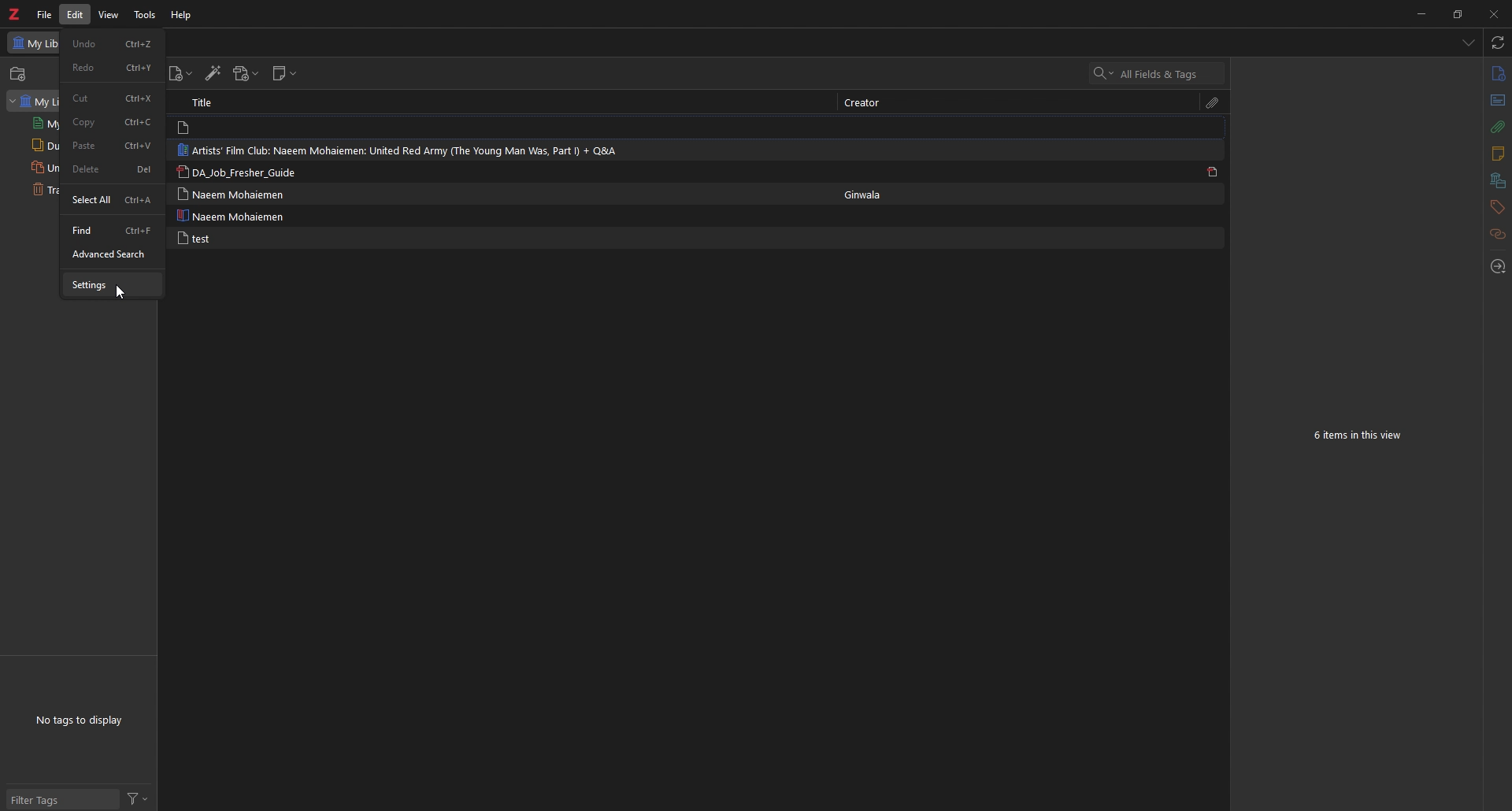 This screenshot has width=1512, height=811. What do you see at coordinates (1492, 13) in the screenshot?
I see `close` at bounding box center [1492, 13].